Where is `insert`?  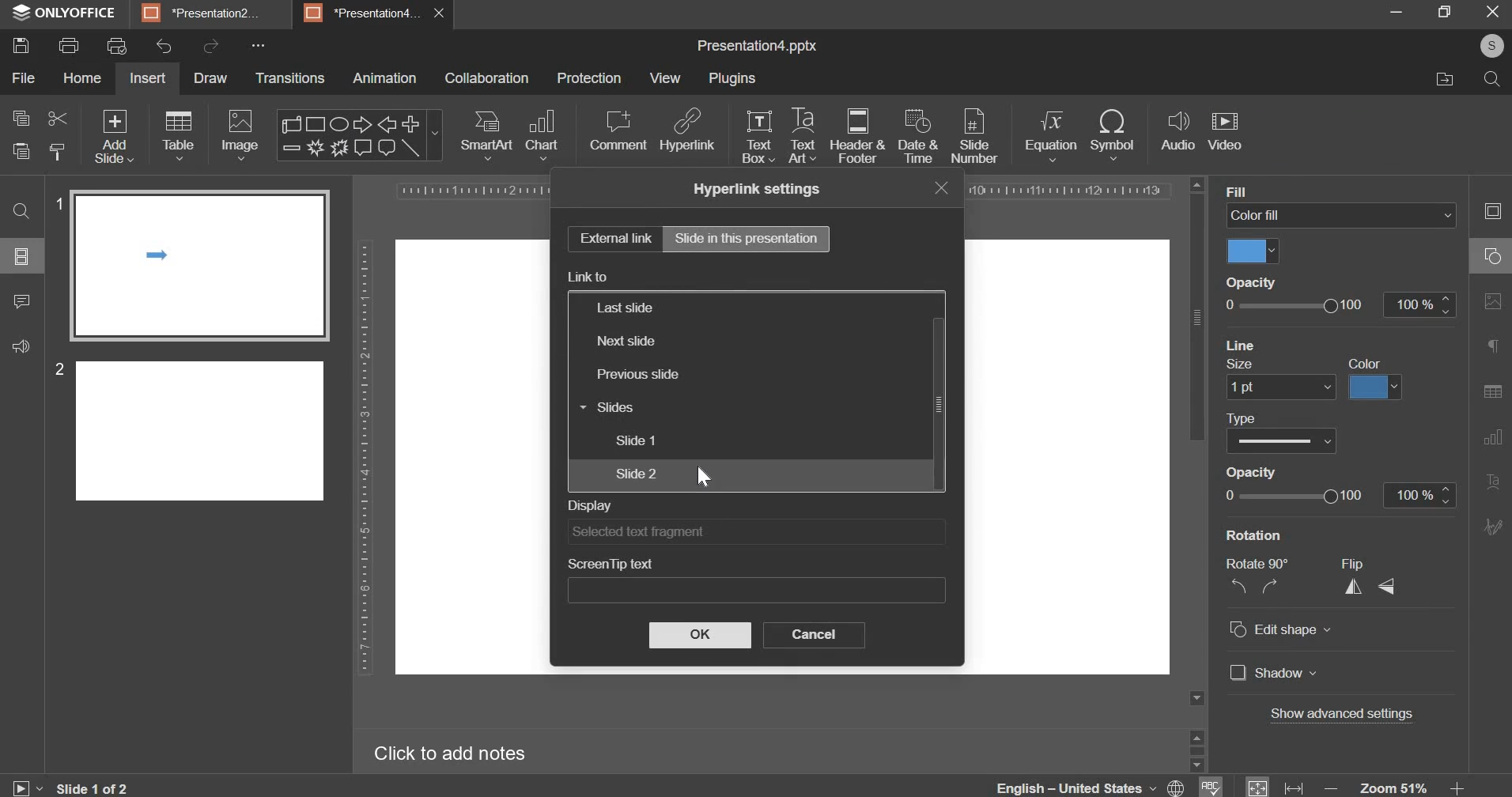
insert is located at coordinates (148, 78).